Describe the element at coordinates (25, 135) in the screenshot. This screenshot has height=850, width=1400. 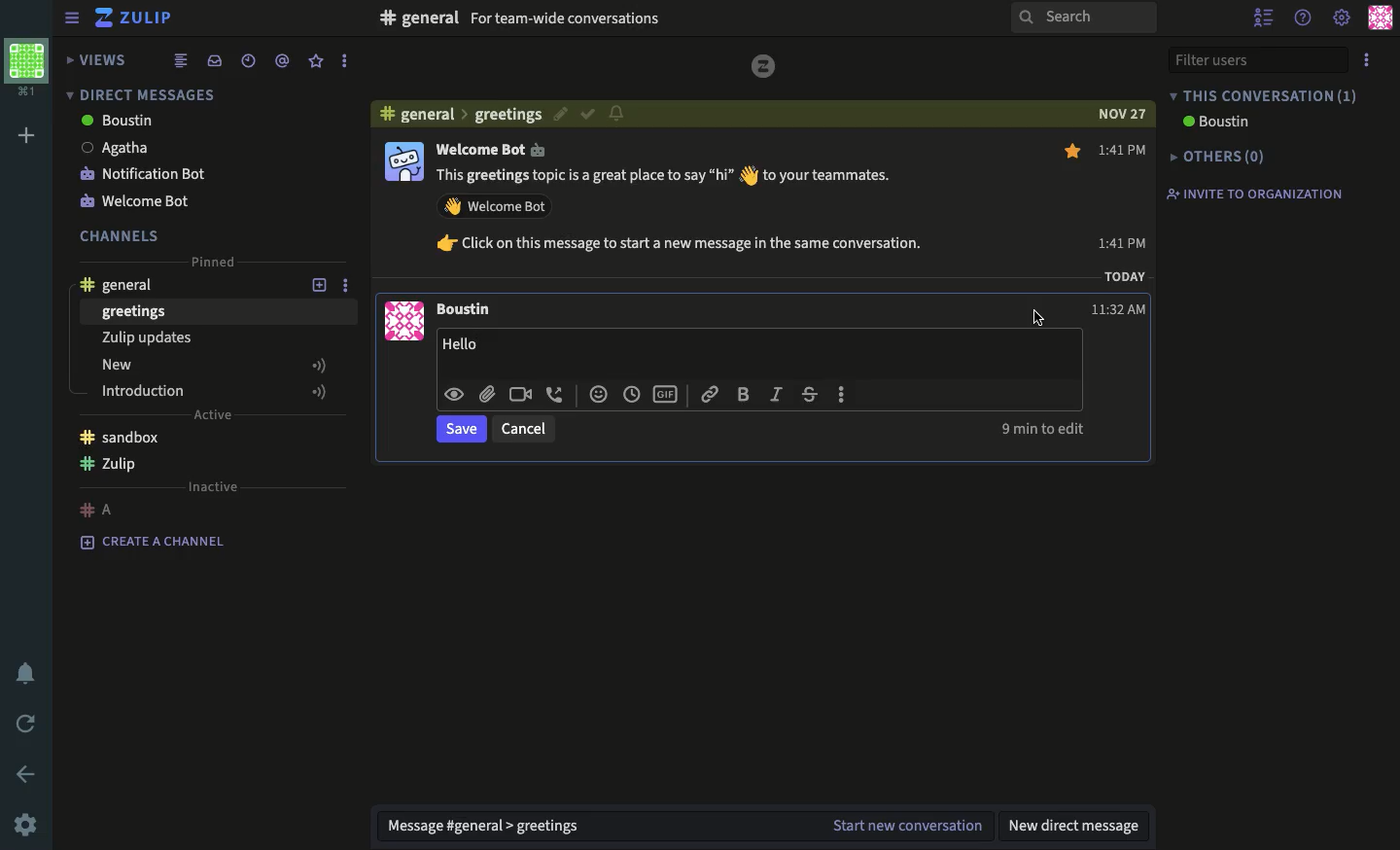
I see `add workspace` at that location.